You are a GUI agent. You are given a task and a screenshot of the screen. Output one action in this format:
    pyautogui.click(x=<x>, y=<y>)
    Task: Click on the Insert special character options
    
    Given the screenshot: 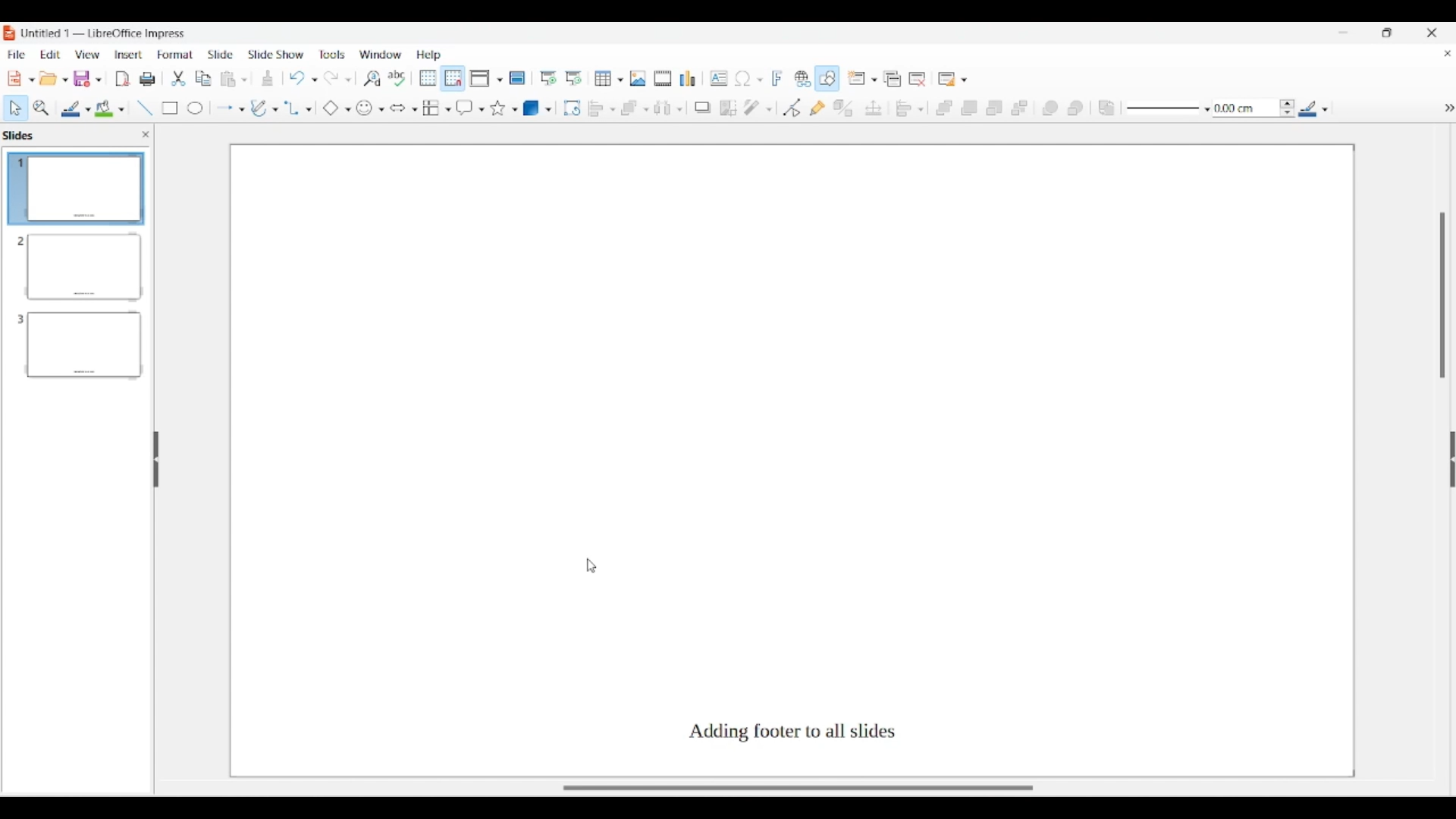 What is the action you would take?
    pyautogui.click(x=748, y=78)
    